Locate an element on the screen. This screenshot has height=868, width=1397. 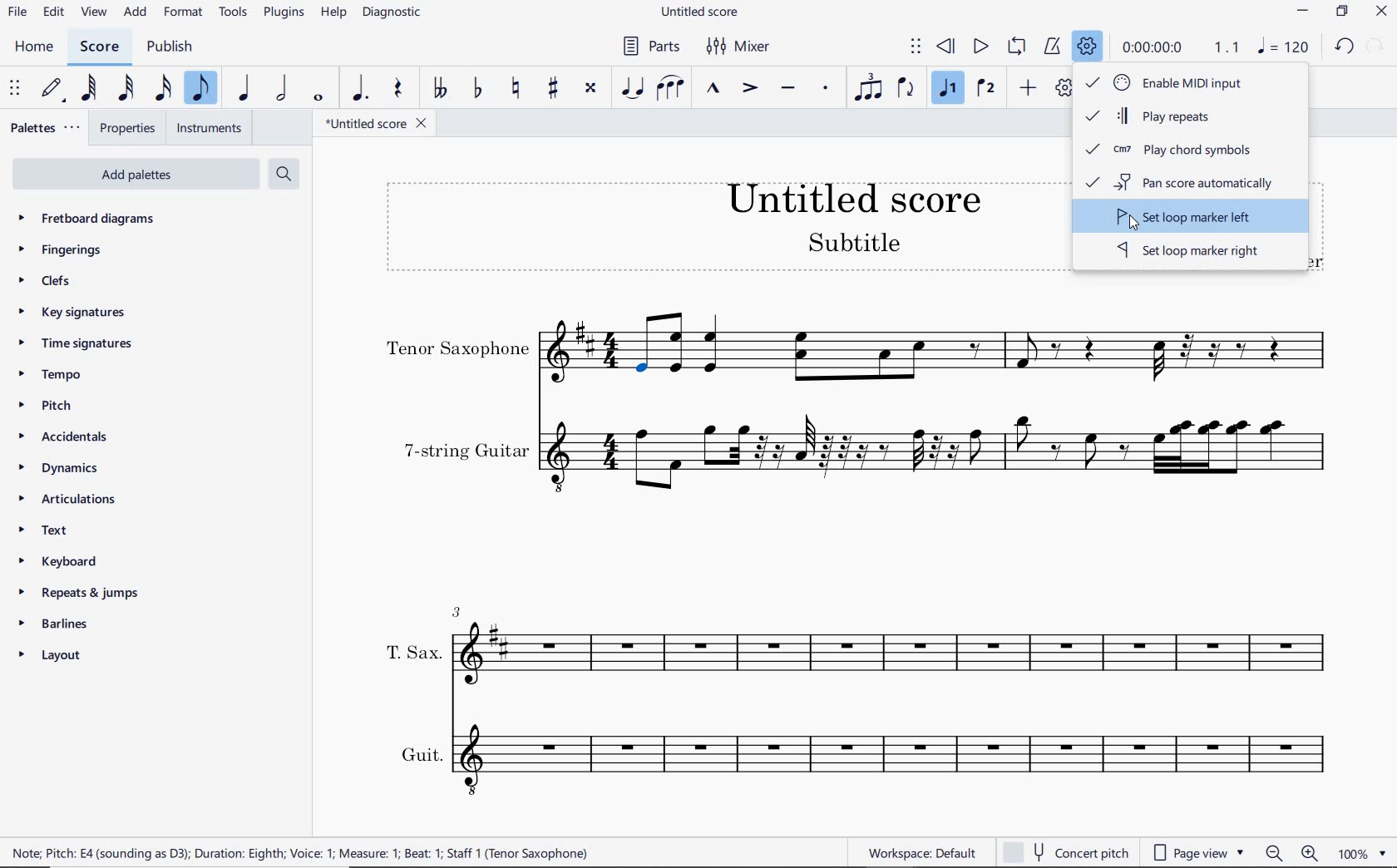
page view is located at coordinates (1198, 854).